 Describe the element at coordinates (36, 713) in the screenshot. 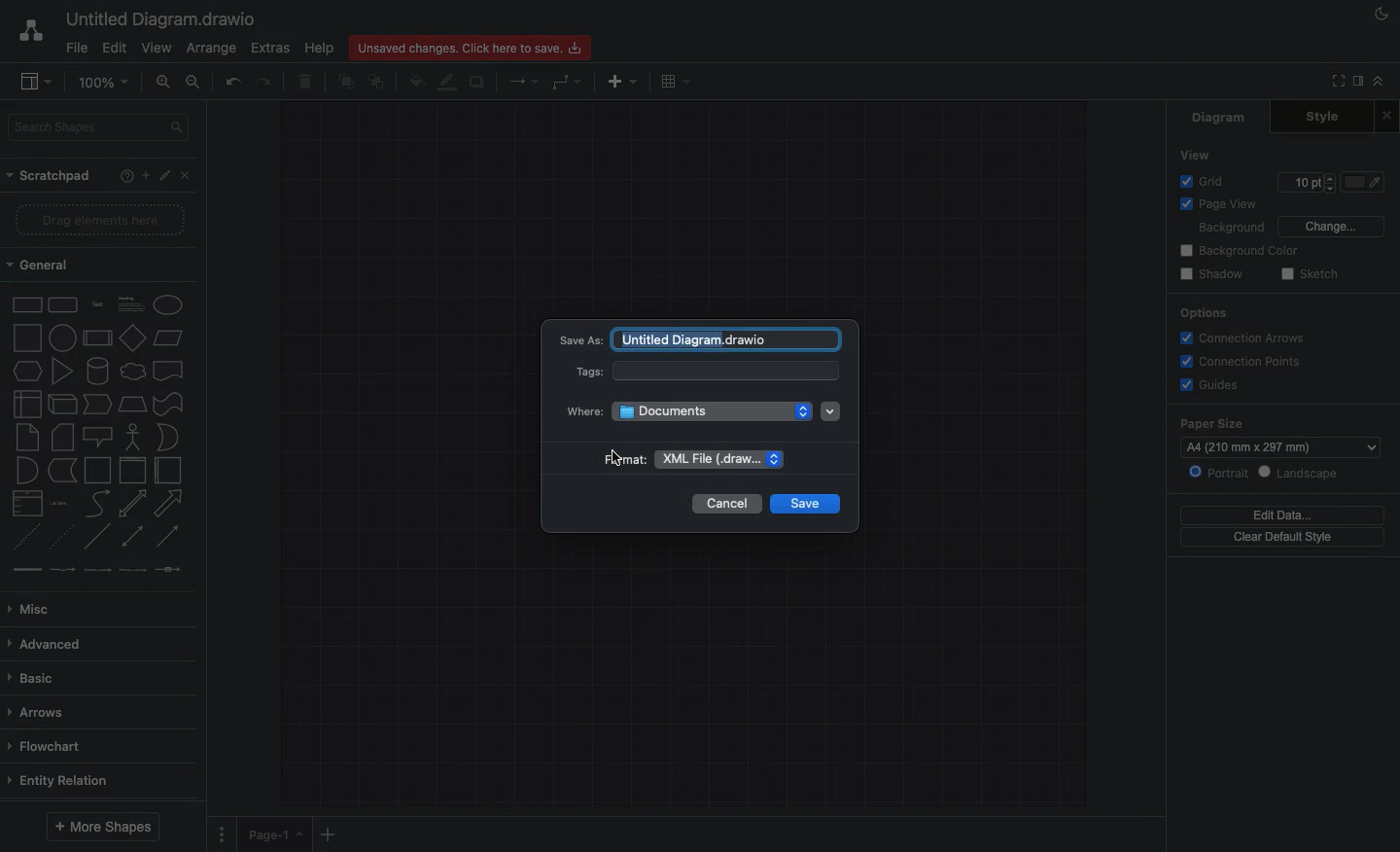

I see `Arrows` at that location.